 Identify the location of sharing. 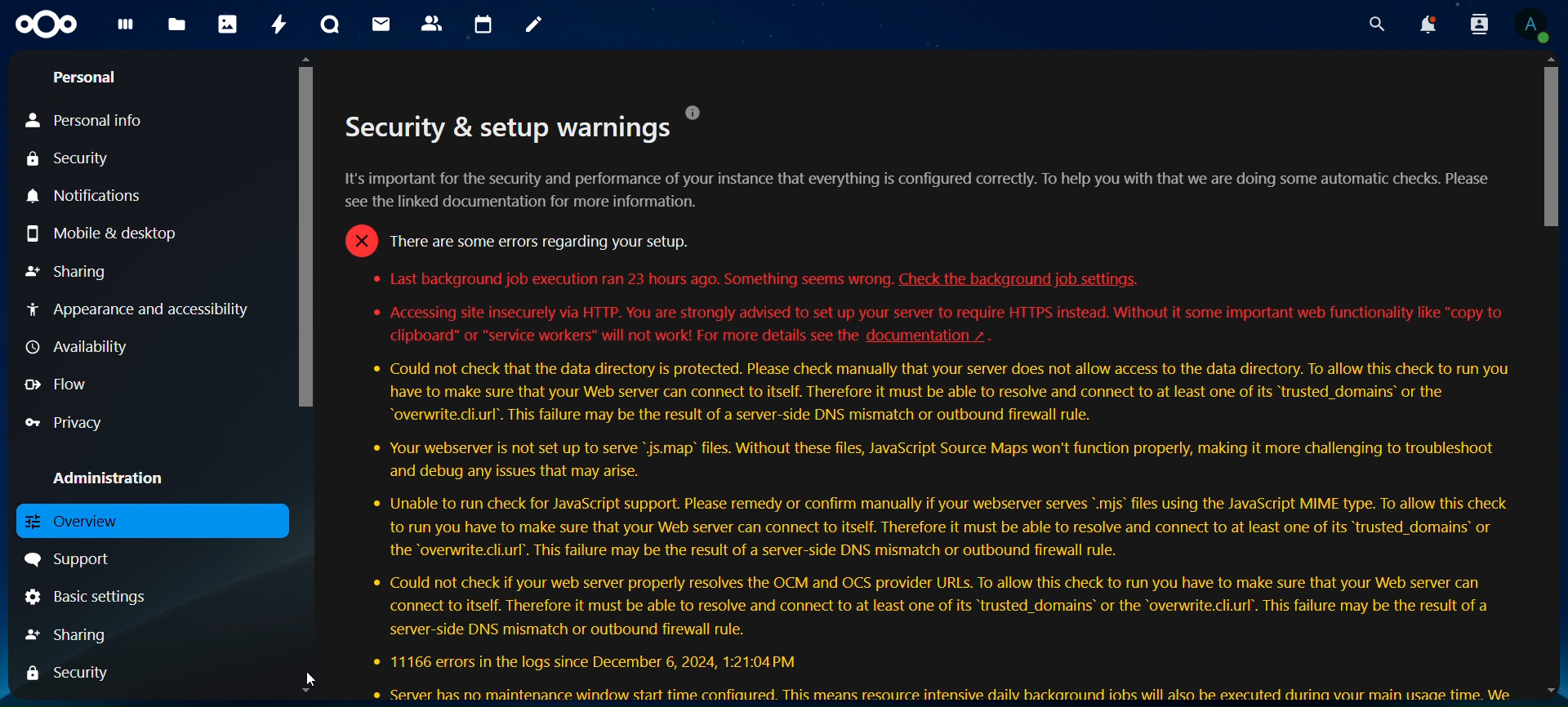
(72, 632).